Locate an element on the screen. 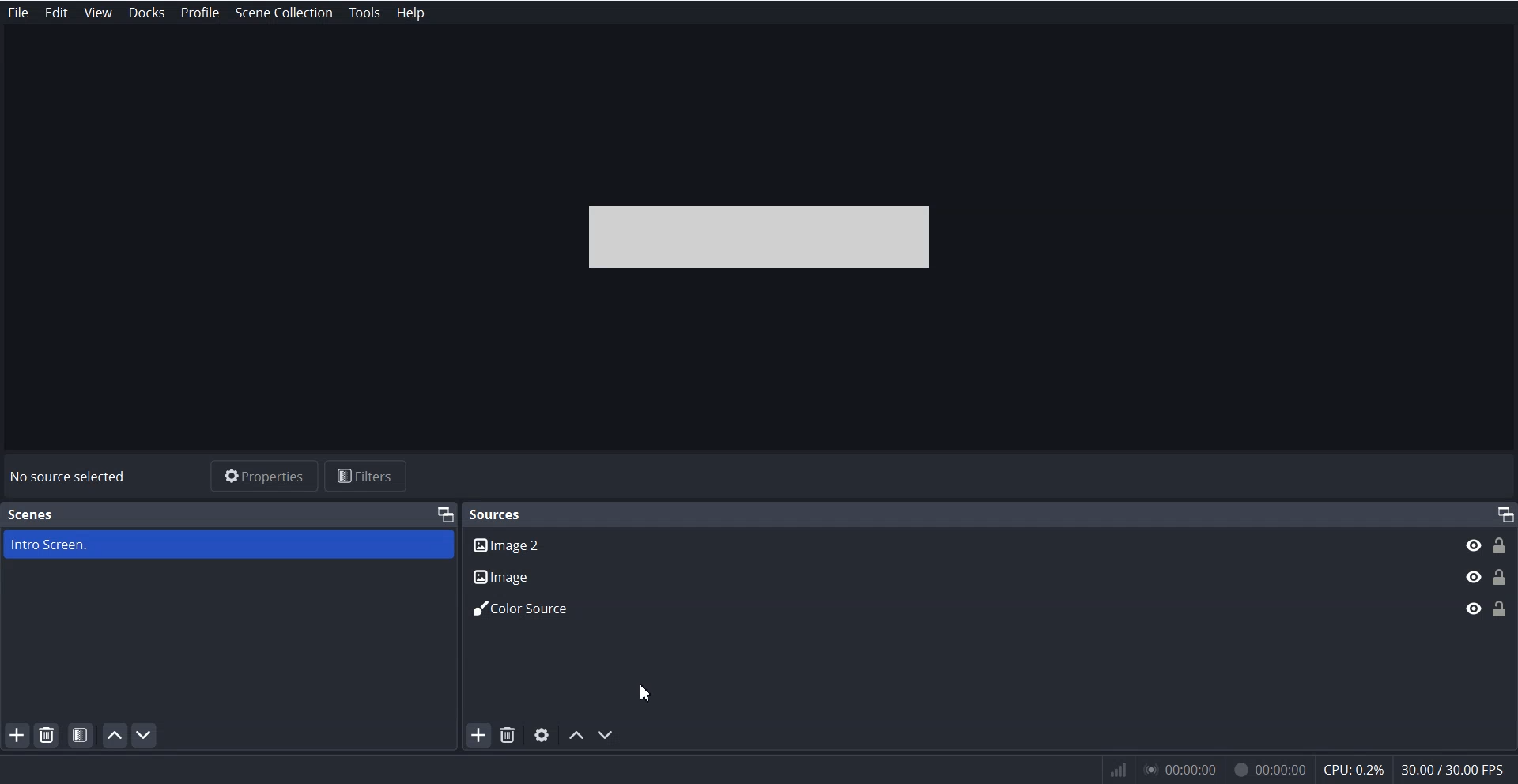 The width and height of the screenshot is (1518, 784). Edit is located at coordinates (57, 13).